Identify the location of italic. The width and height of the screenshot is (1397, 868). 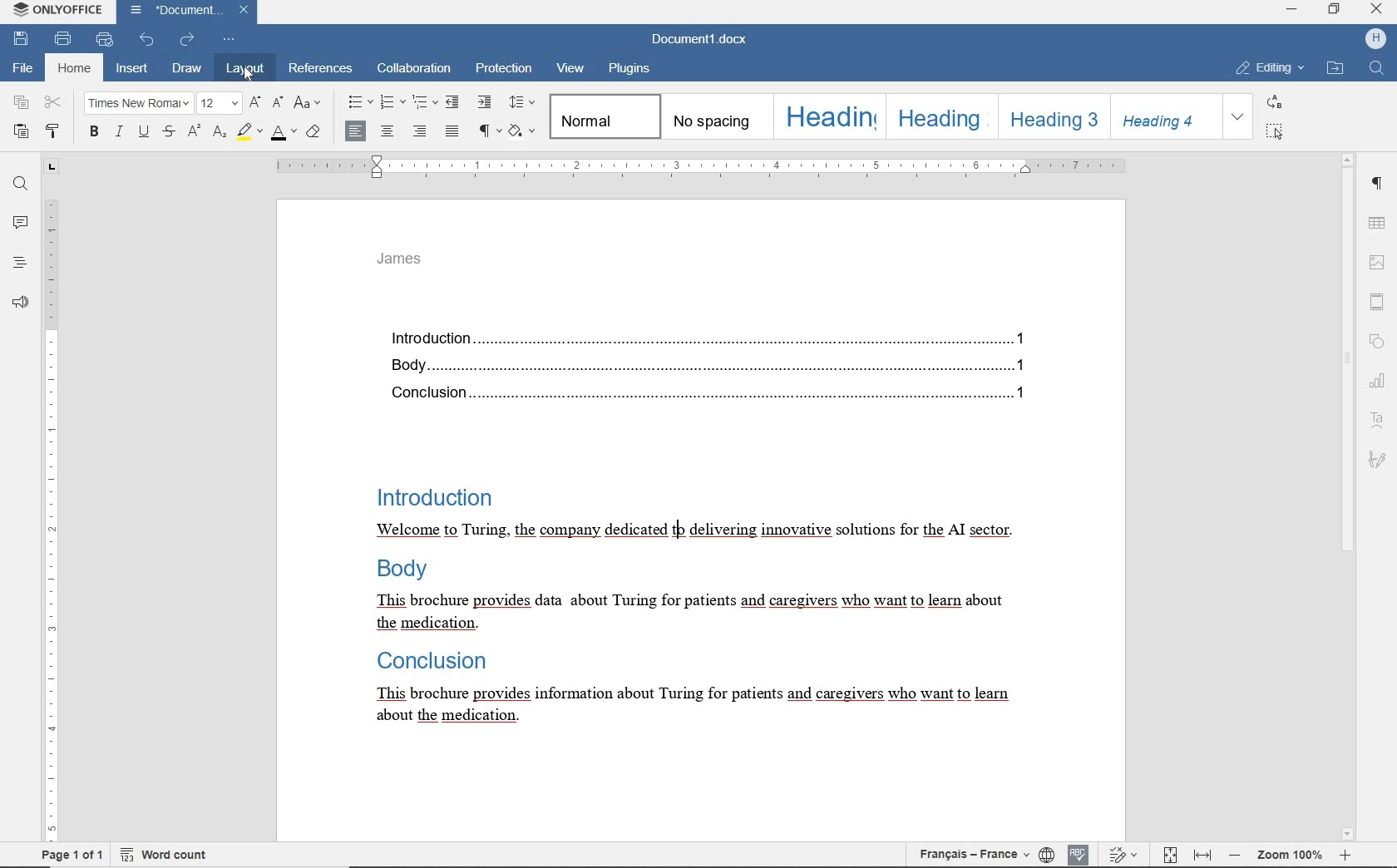
(119, 133).